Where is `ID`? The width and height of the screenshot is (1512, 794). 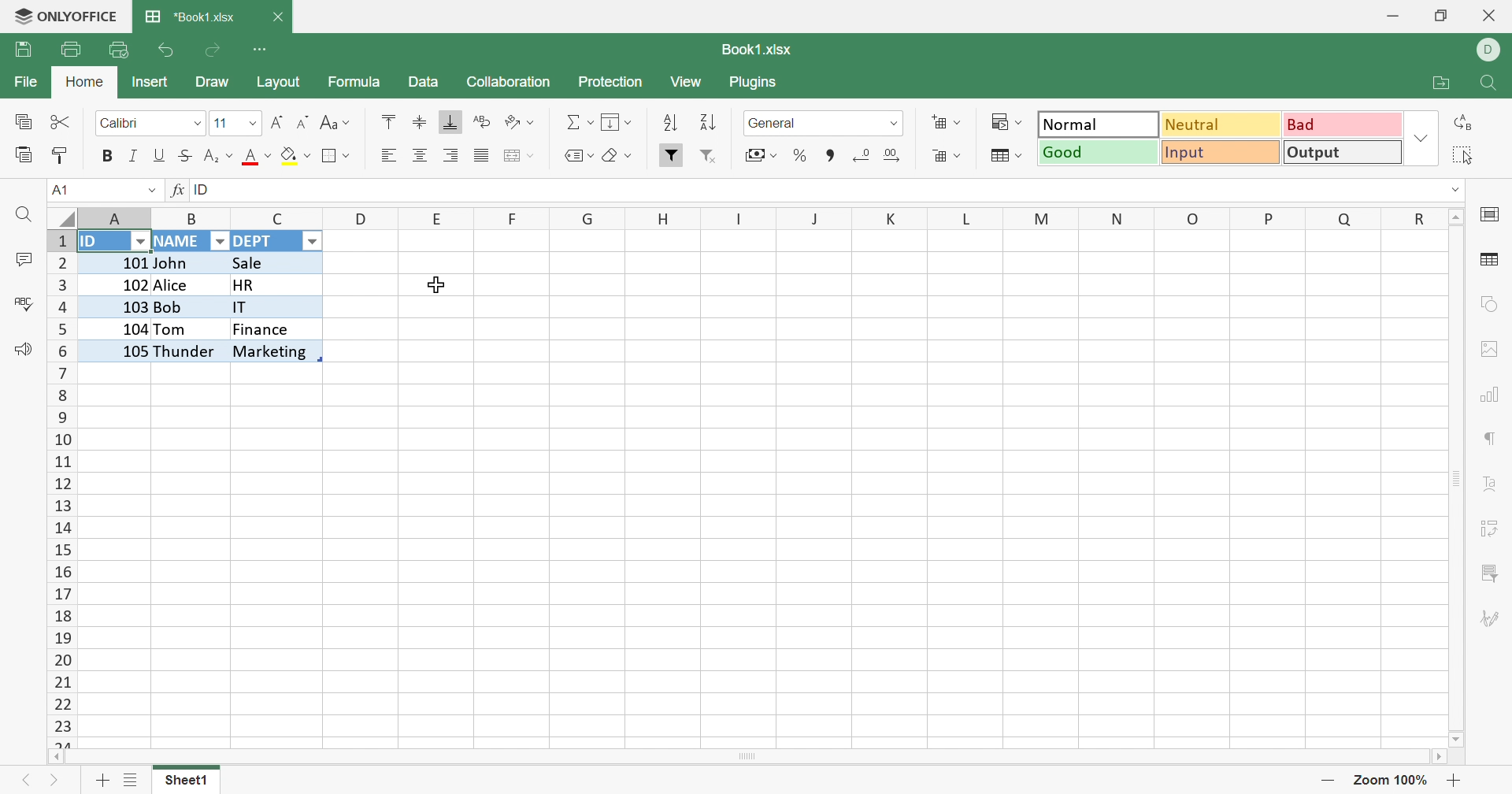
ID is located at coordinates (206, 190).